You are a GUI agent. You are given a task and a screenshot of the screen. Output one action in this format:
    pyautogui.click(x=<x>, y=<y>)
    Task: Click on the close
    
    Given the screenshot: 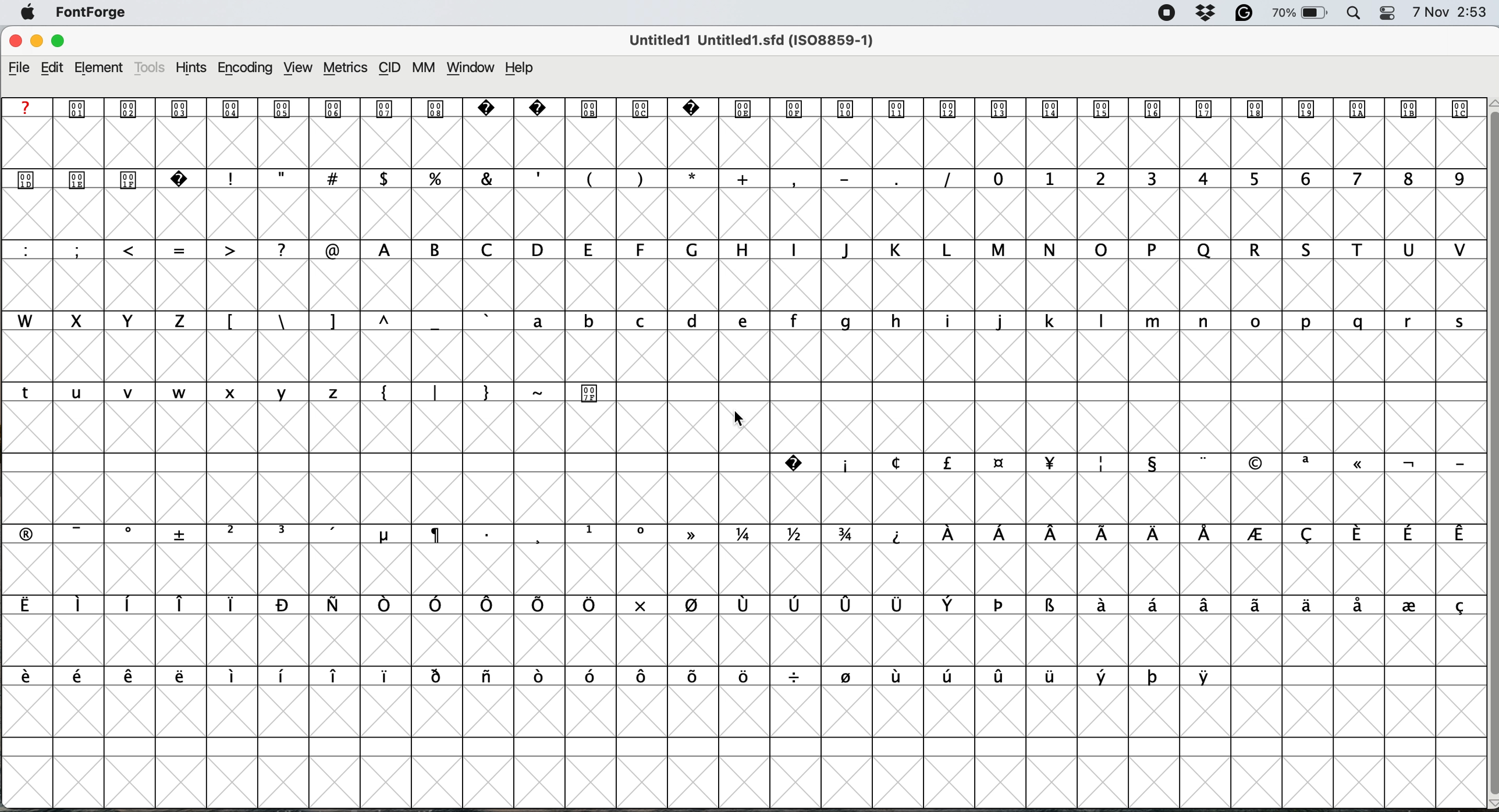 What is the action you would take?
    pyautogui.click(x=15, y=42)
    